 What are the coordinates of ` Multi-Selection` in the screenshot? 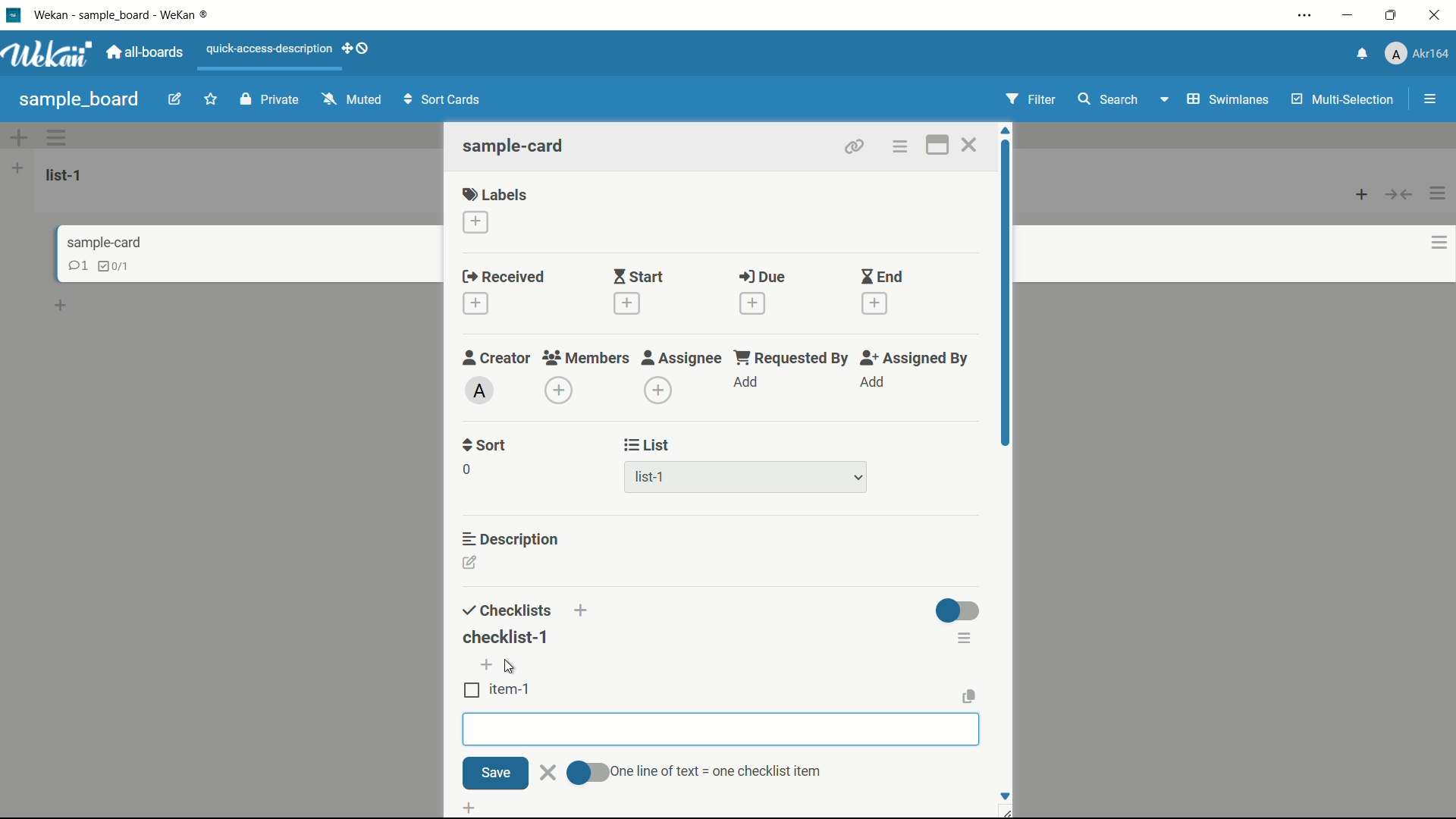 It's located at (1345, 101).